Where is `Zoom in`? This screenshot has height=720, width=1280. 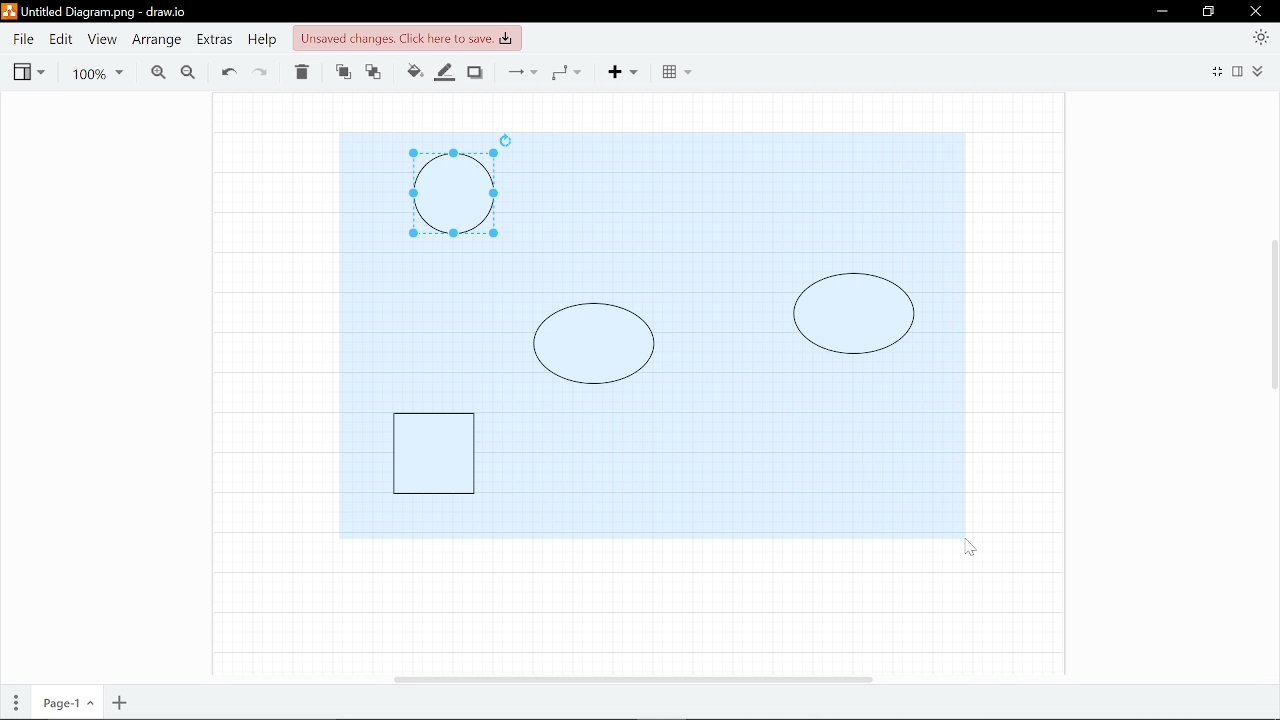 Zoom in is located at coordinates (154, 71).